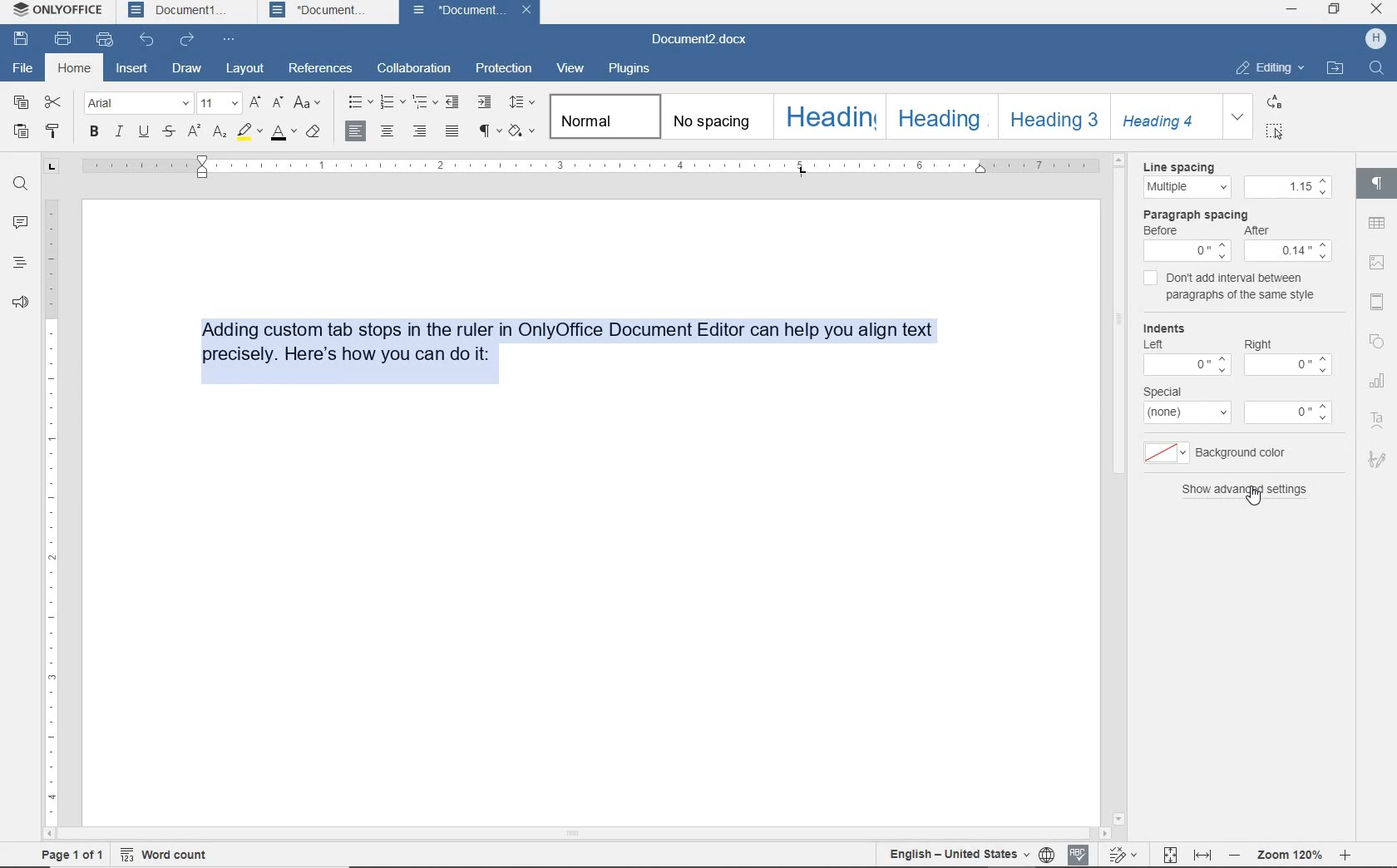 Image resolution: width=1397 pixels, height=868 pixels. I want to click on menu, so click(1291, 412).